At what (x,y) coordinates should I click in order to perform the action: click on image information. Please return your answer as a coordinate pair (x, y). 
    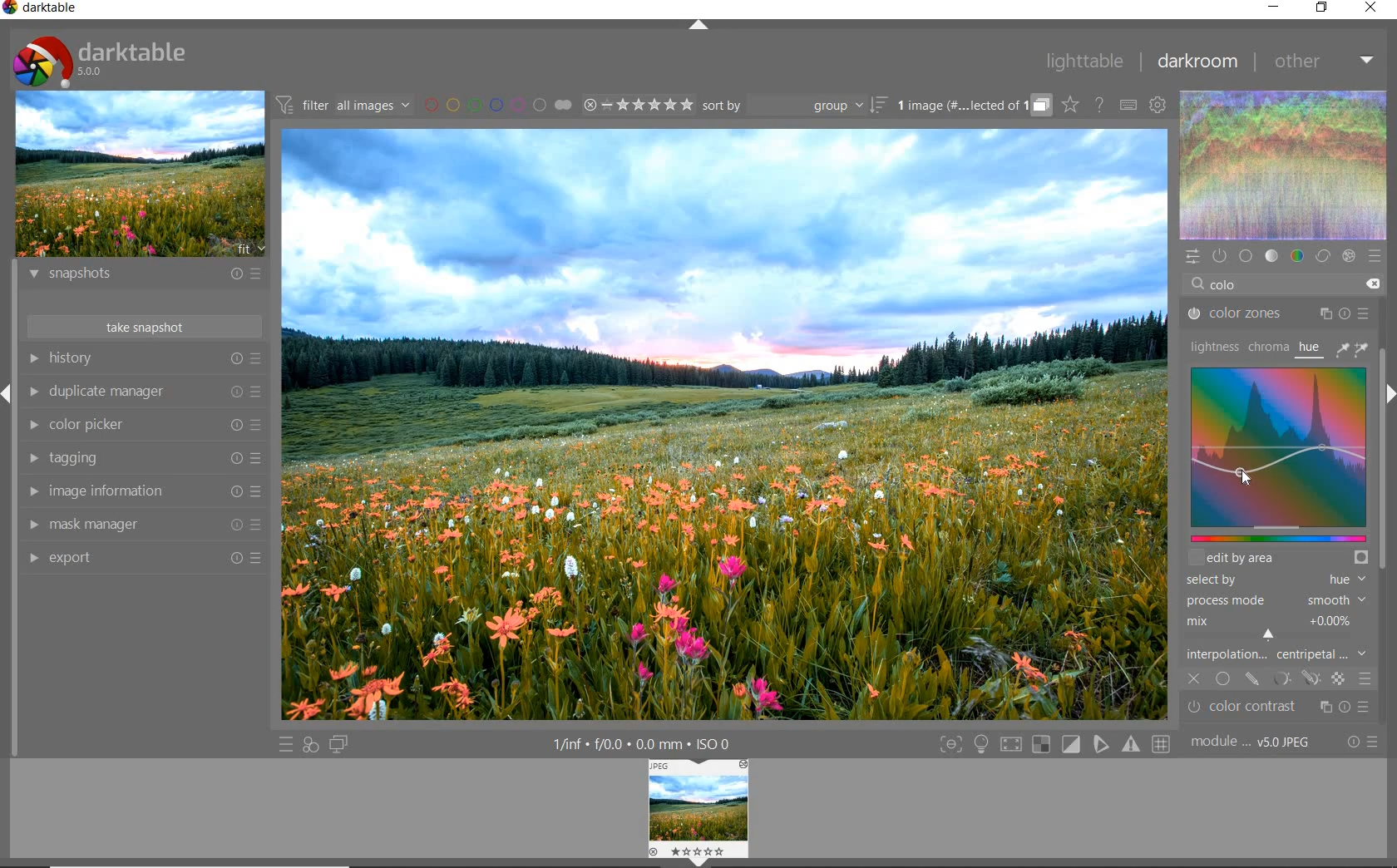
    Looking at the image, I should click on (141, 492).